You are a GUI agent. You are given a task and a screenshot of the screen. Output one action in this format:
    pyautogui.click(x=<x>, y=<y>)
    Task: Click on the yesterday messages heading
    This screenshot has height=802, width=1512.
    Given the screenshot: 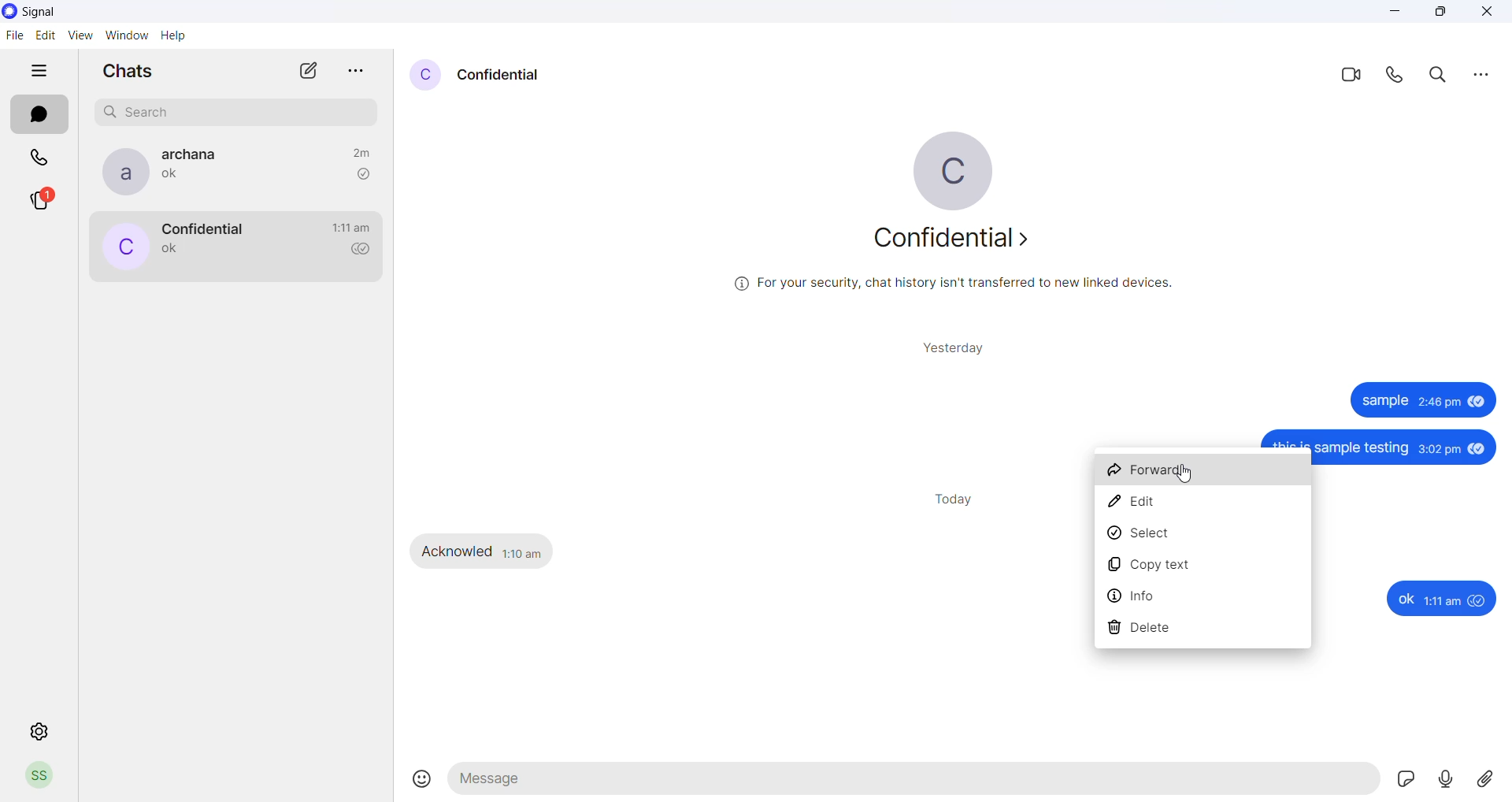 What is the action you would take?
    pyautogui.click(x=951, y=344)
    